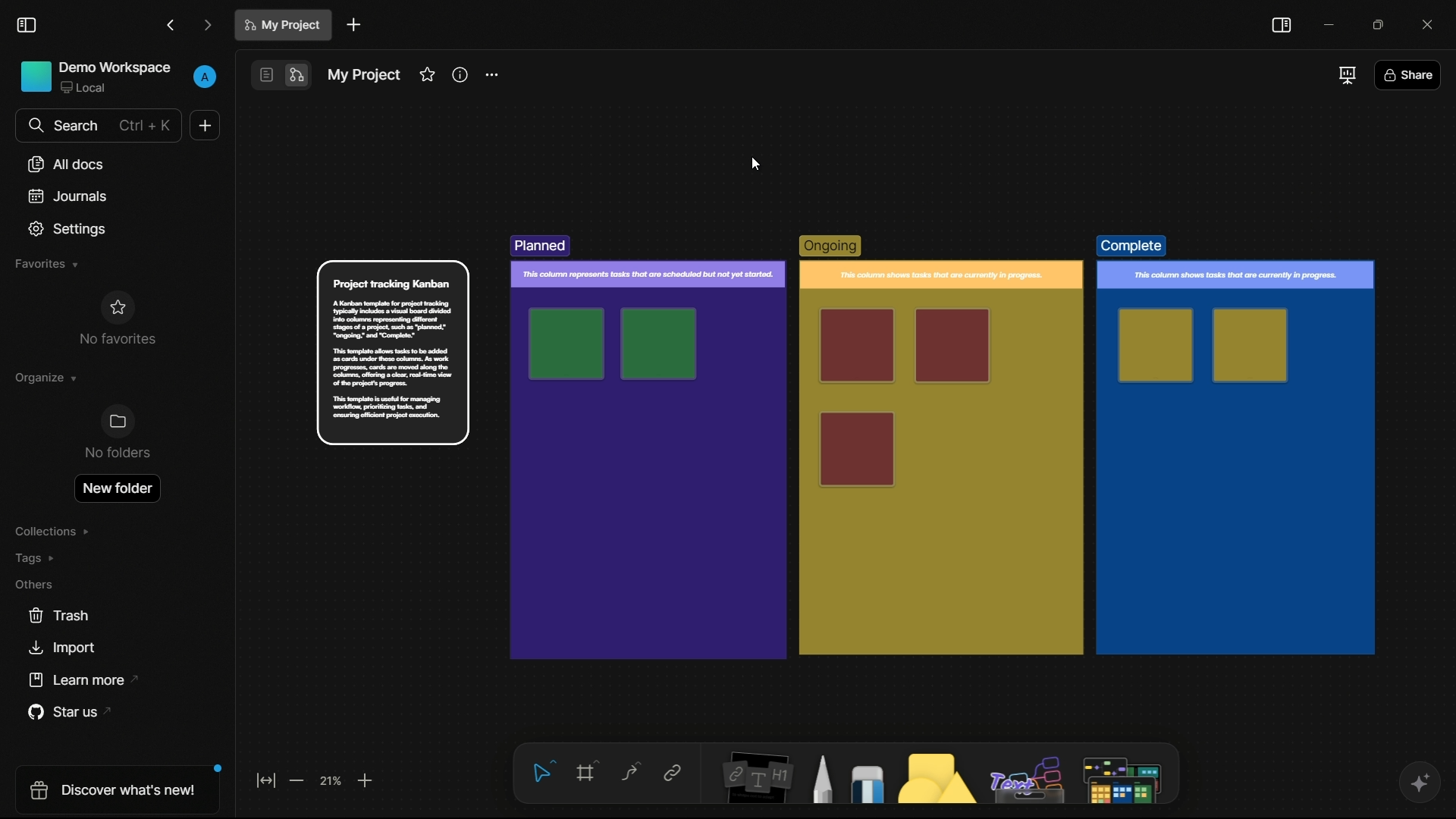 Image resolution: width=1456 pixels, height=819 pixels. Describe the element at coordinates (1281, 25) in the screenshot. I see `toggle sidebar` at that location.